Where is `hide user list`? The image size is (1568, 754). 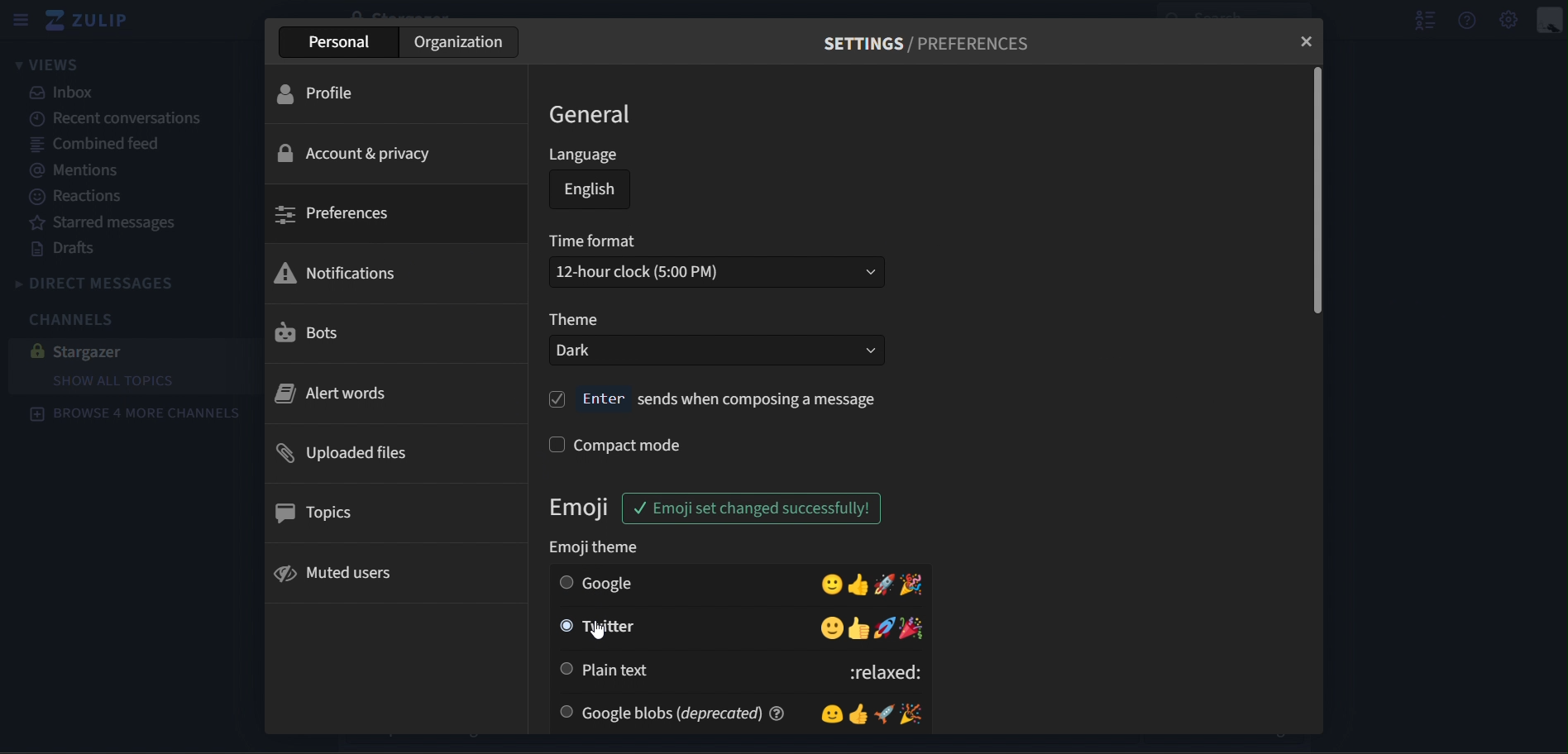 hide user list is located at coordinates (1419, 19).